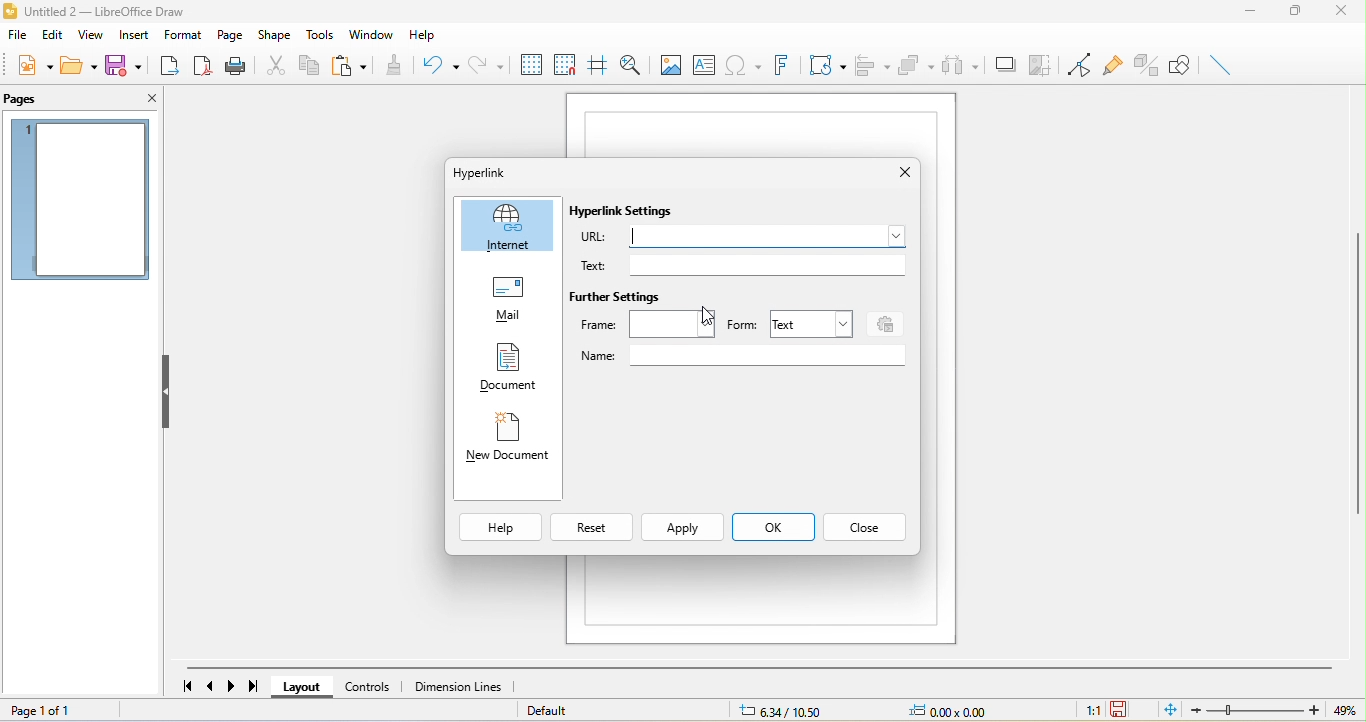 This screenshot has width=1366, height=722. I want to click on reset, so click(594, 526).